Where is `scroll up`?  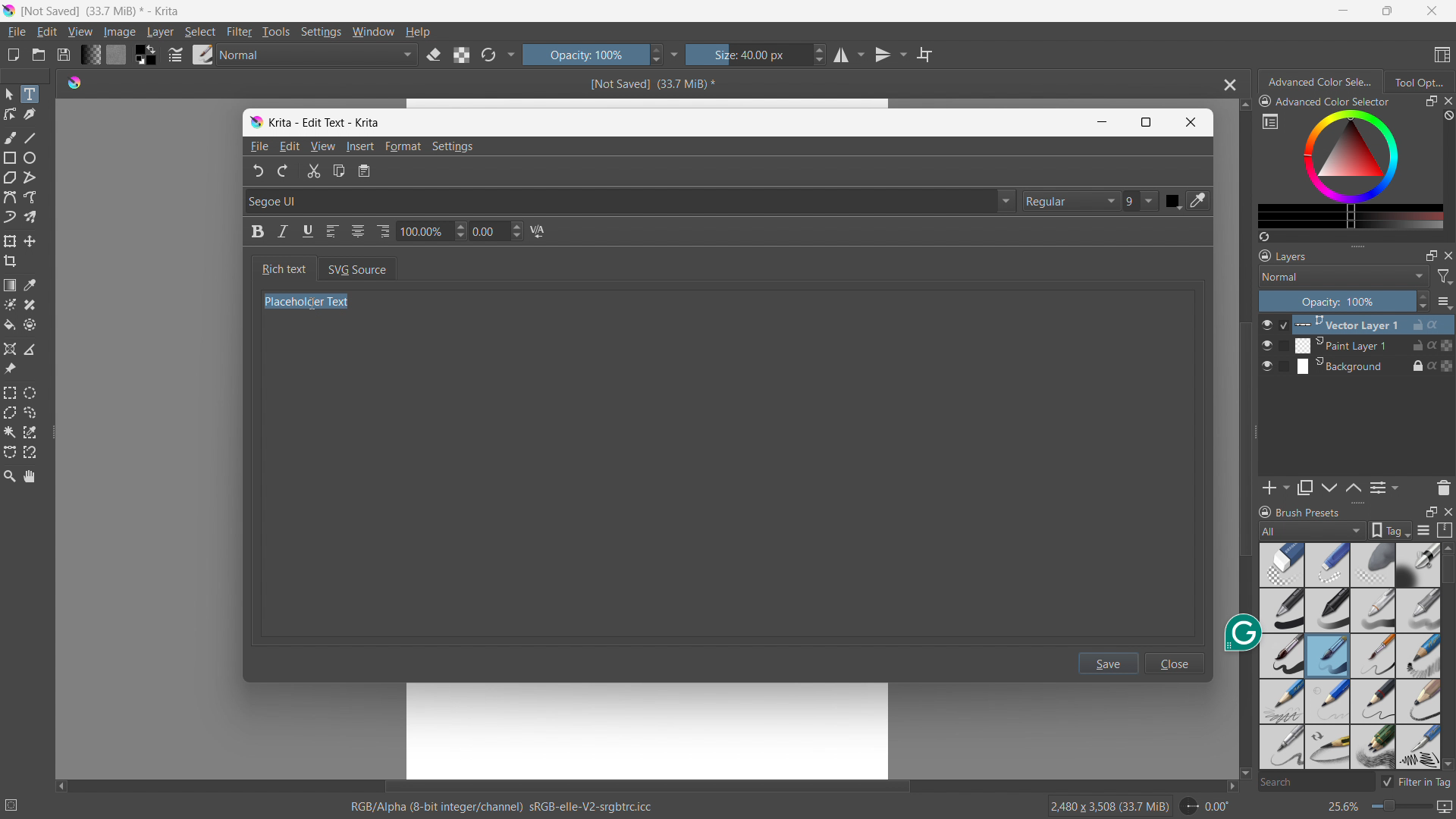
scroll up is located at coordinates (1447, 548).